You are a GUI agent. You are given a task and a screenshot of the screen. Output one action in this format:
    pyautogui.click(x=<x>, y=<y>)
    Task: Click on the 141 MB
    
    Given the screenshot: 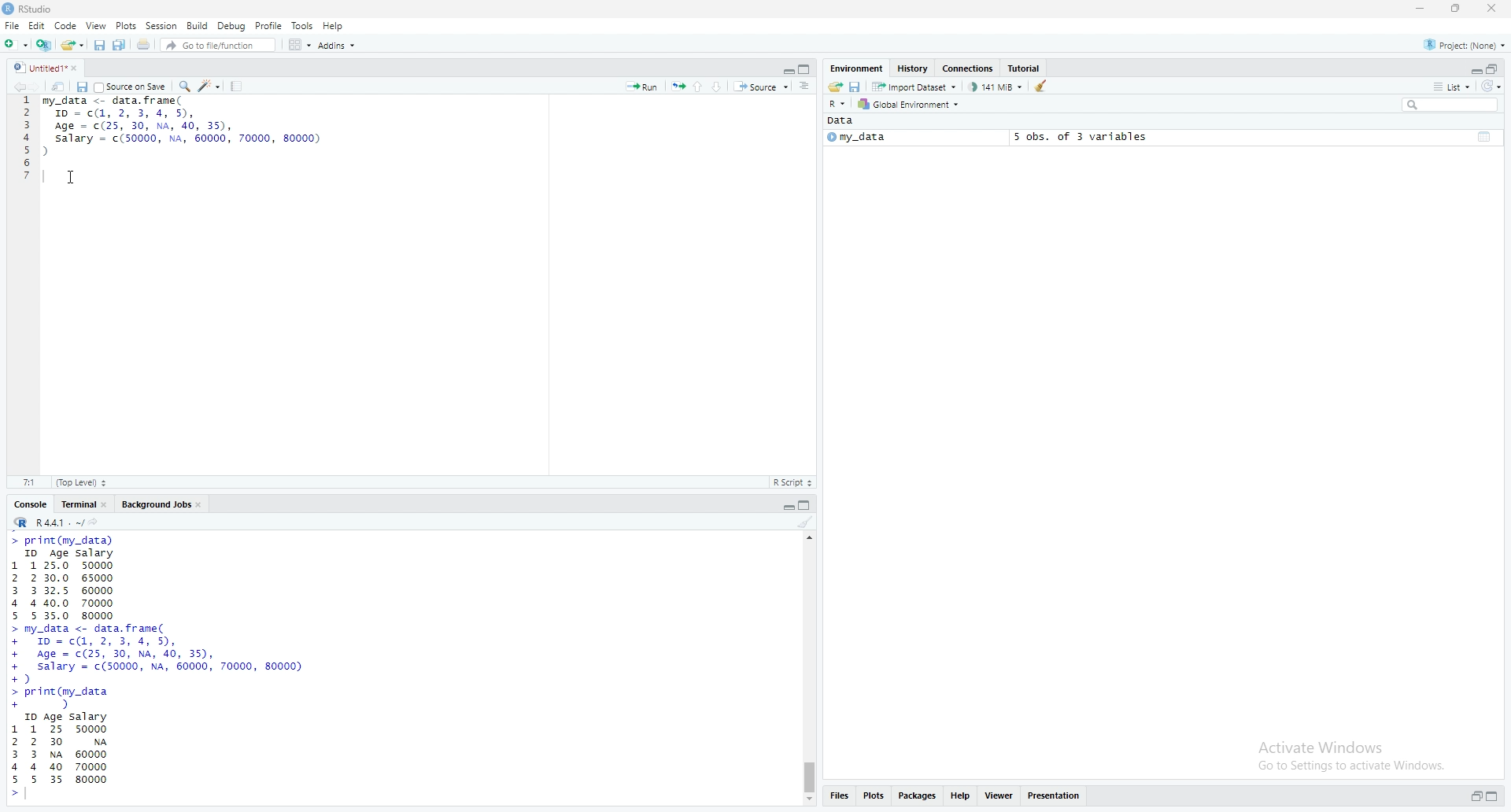 What is the action you would take?
    pyautogui.click(x=997, y=87)
    